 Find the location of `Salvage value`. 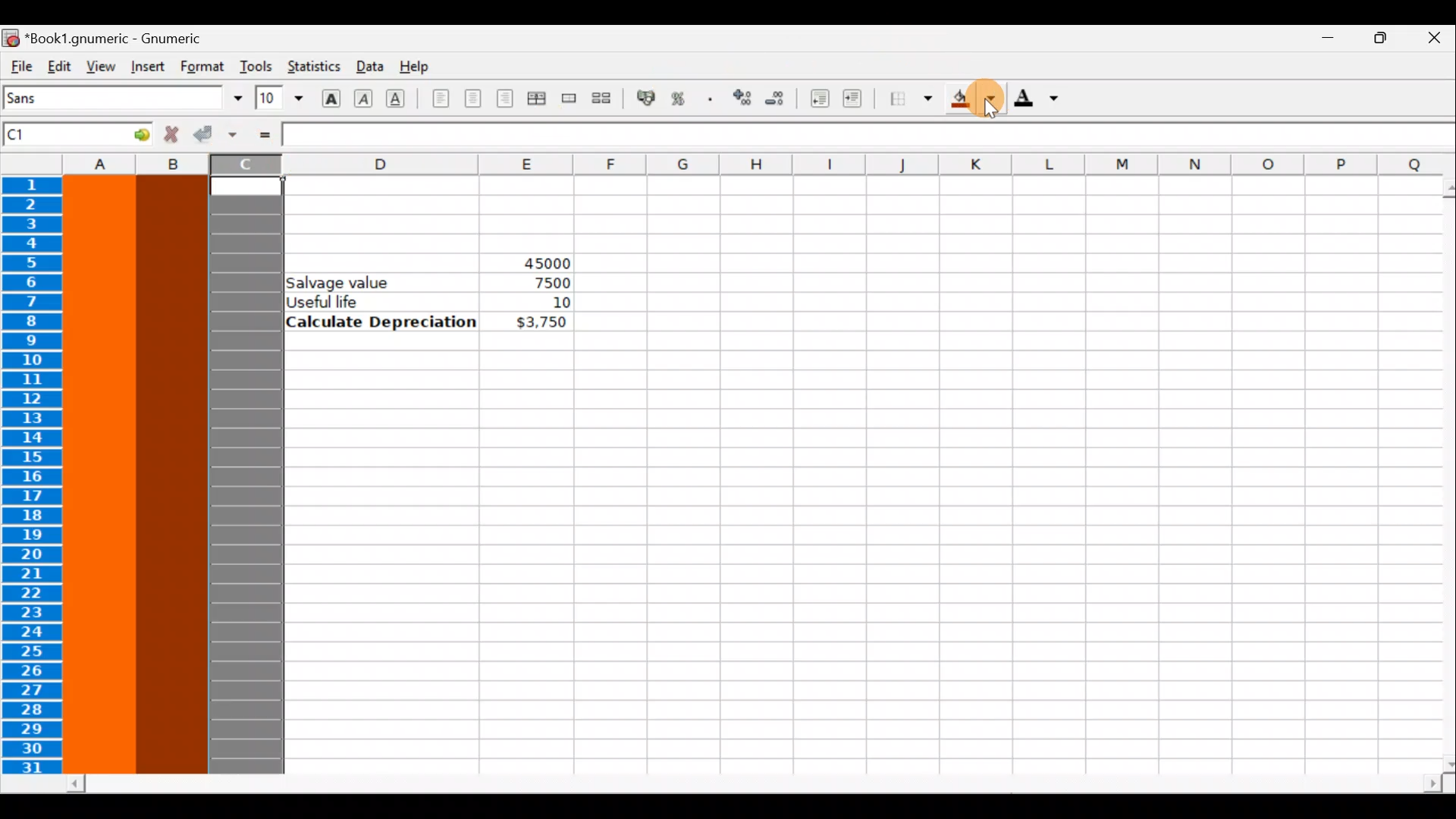

Salvage value is located at coordinates (347, 281).